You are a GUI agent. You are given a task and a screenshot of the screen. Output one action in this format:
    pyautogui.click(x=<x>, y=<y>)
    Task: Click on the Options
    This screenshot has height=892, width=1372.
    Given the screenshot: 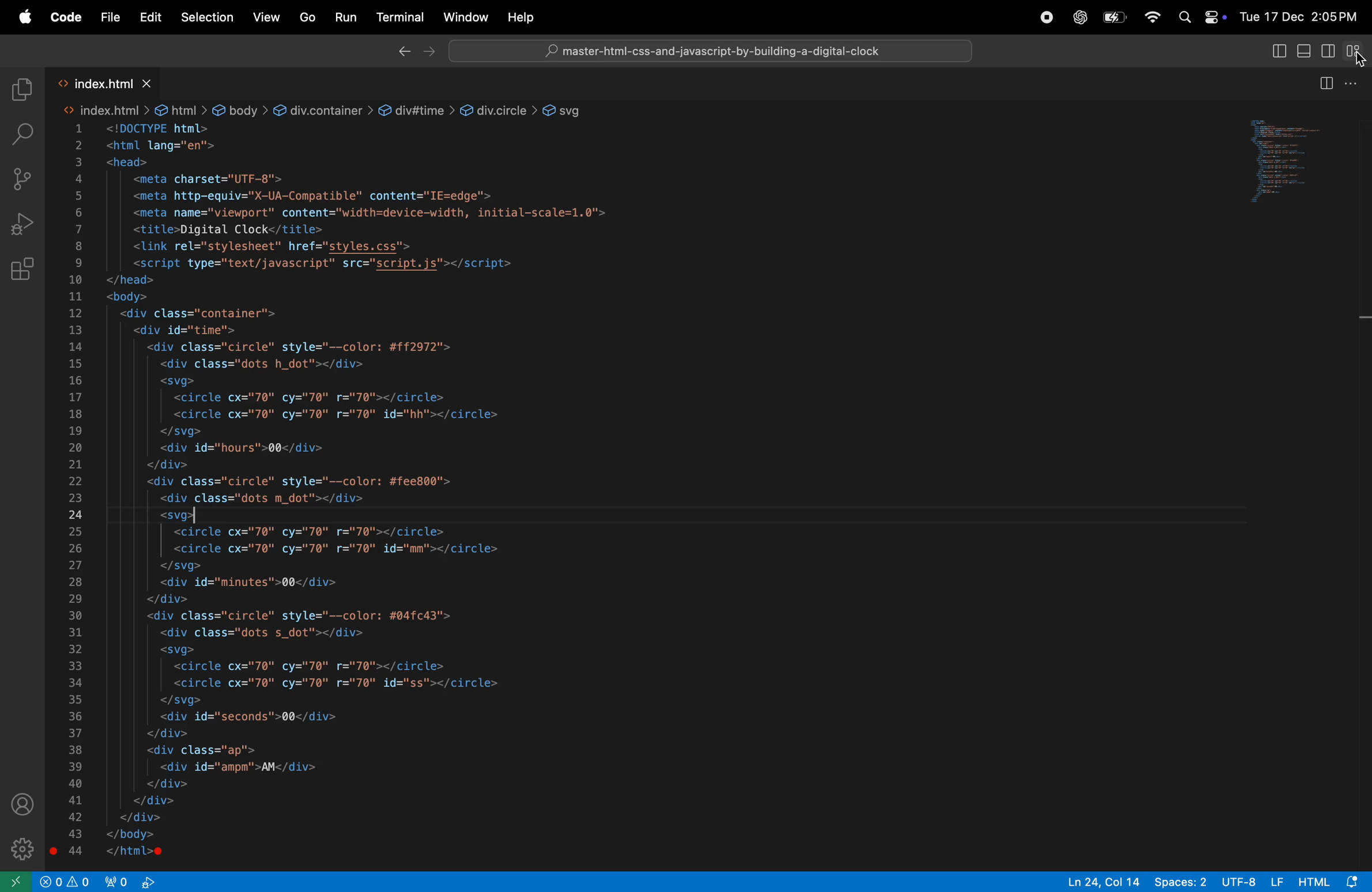 What is the action you would take?
    pyautogui.click(x=1354, y=81)
    